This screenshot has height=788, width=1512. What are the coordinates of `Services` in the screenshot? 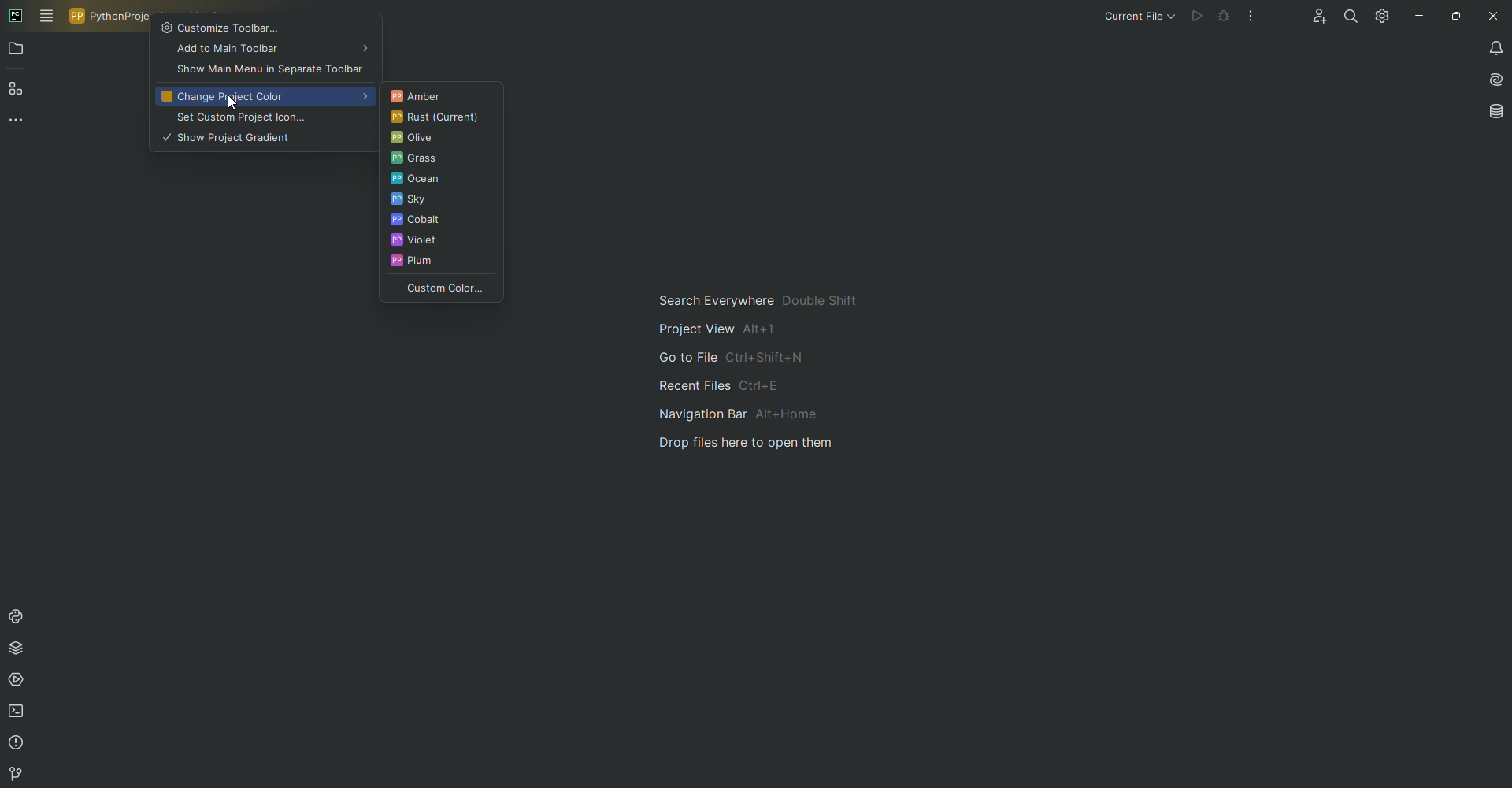 It's located at (19, 683).